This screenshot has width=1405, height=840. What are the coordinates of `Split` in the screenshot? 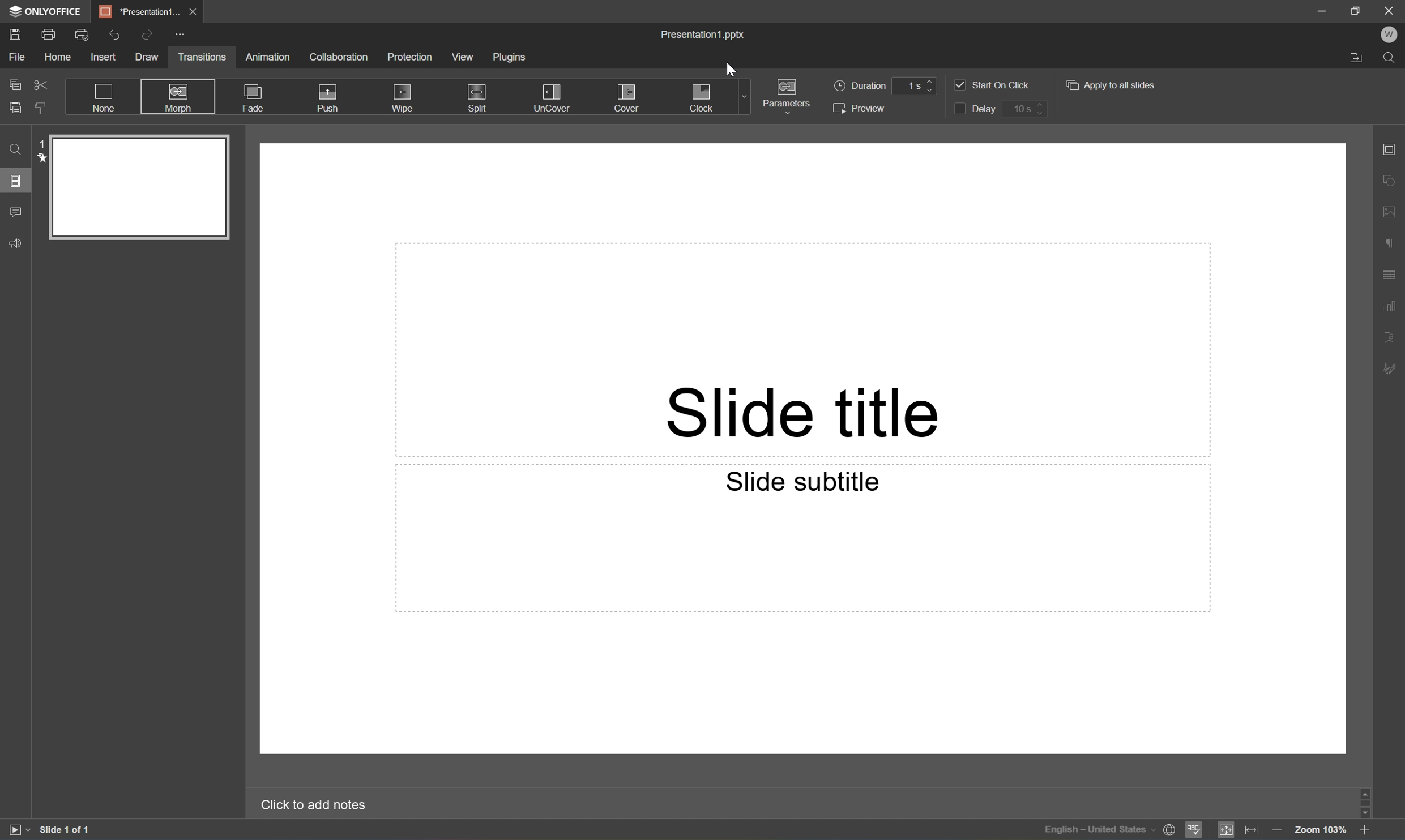 It's located at (477, 98).